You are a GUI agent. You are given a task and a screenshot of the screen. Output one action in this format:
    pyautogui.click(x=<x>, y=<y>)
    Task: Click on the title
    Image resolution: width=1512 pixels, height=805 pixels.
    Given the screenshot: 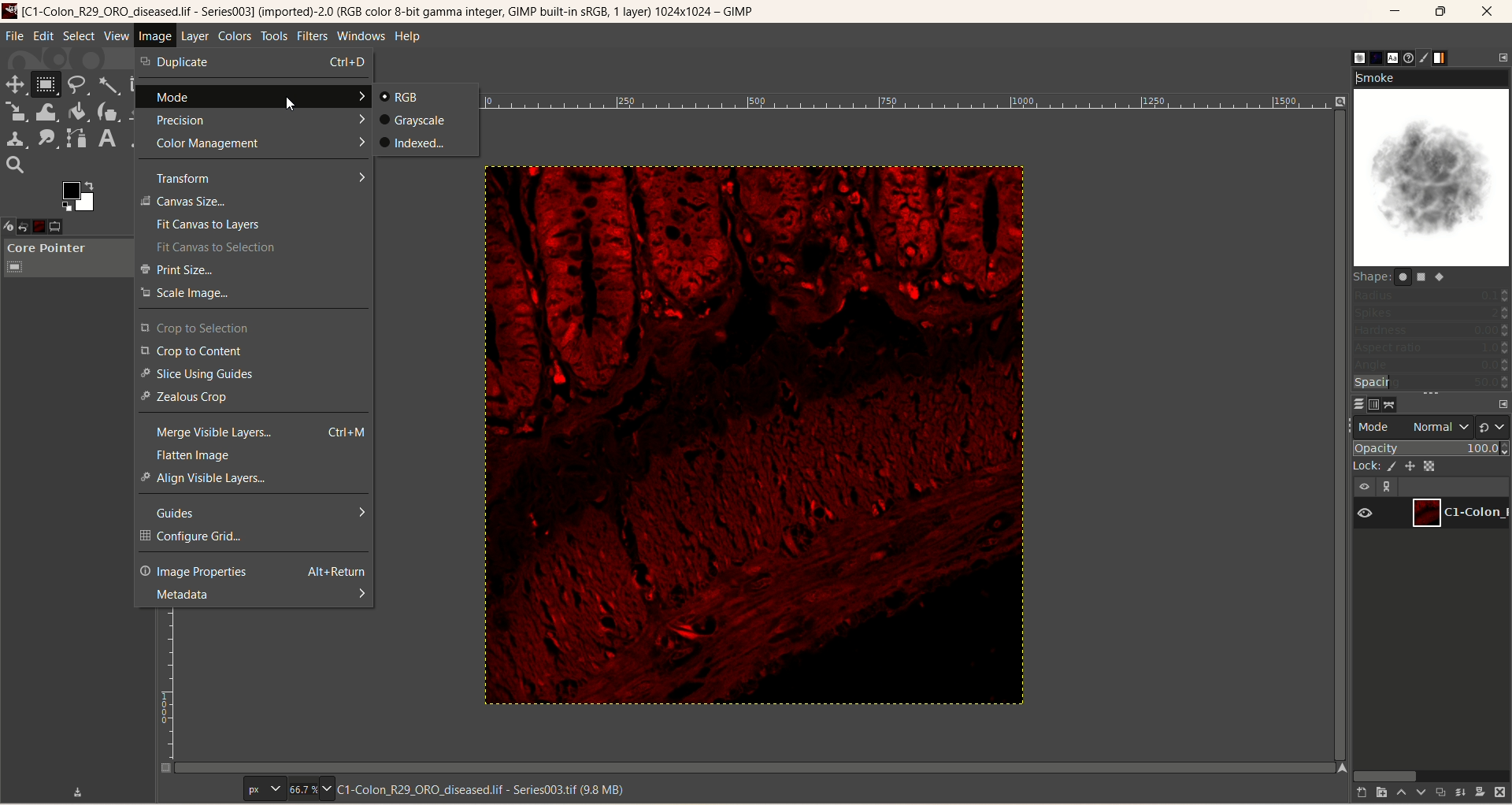 What is the action you would take?
    pyautogui.click(x=388, y=12)
    